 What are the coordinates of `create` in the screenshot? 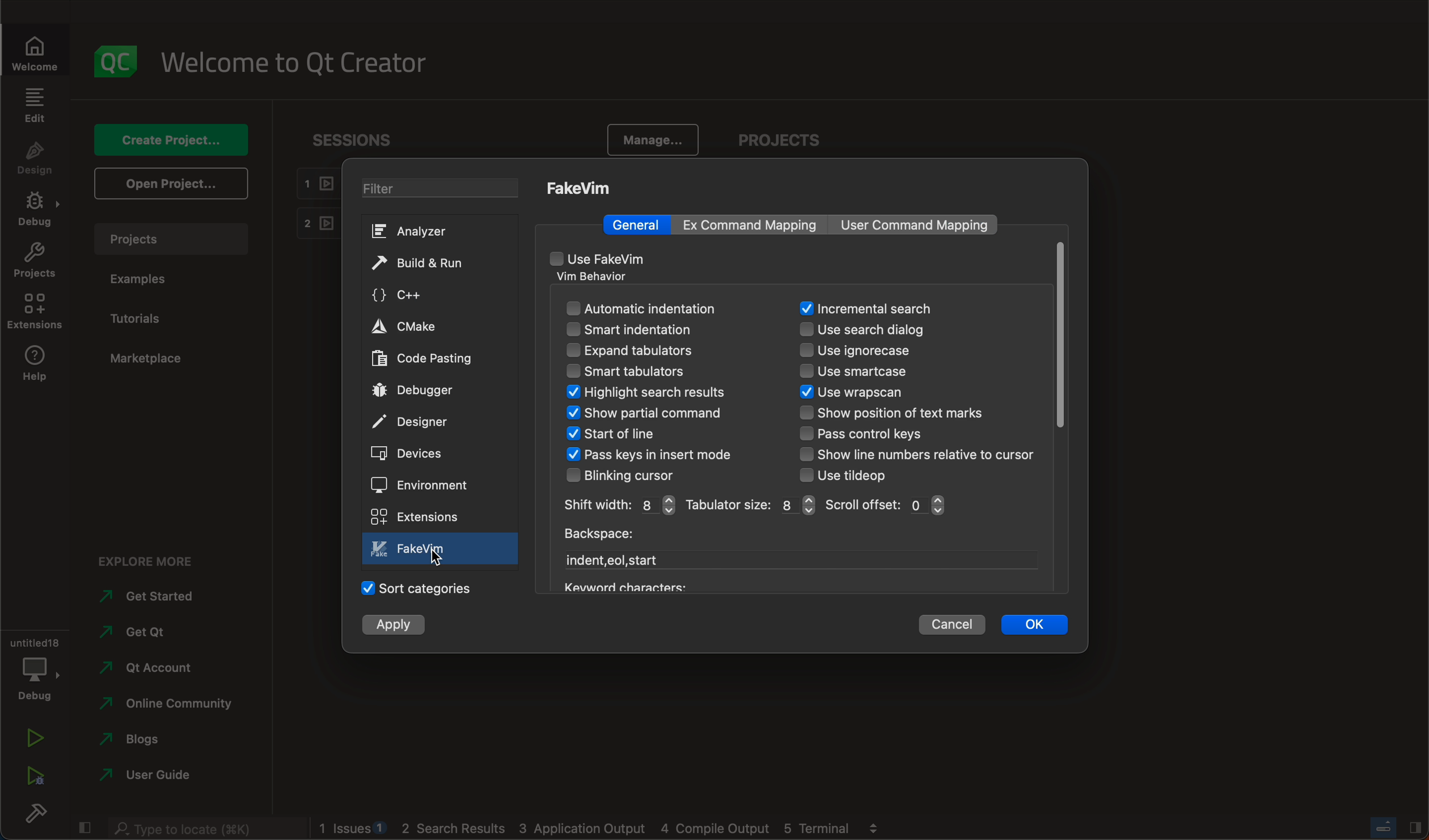 It's located at (171, 137).